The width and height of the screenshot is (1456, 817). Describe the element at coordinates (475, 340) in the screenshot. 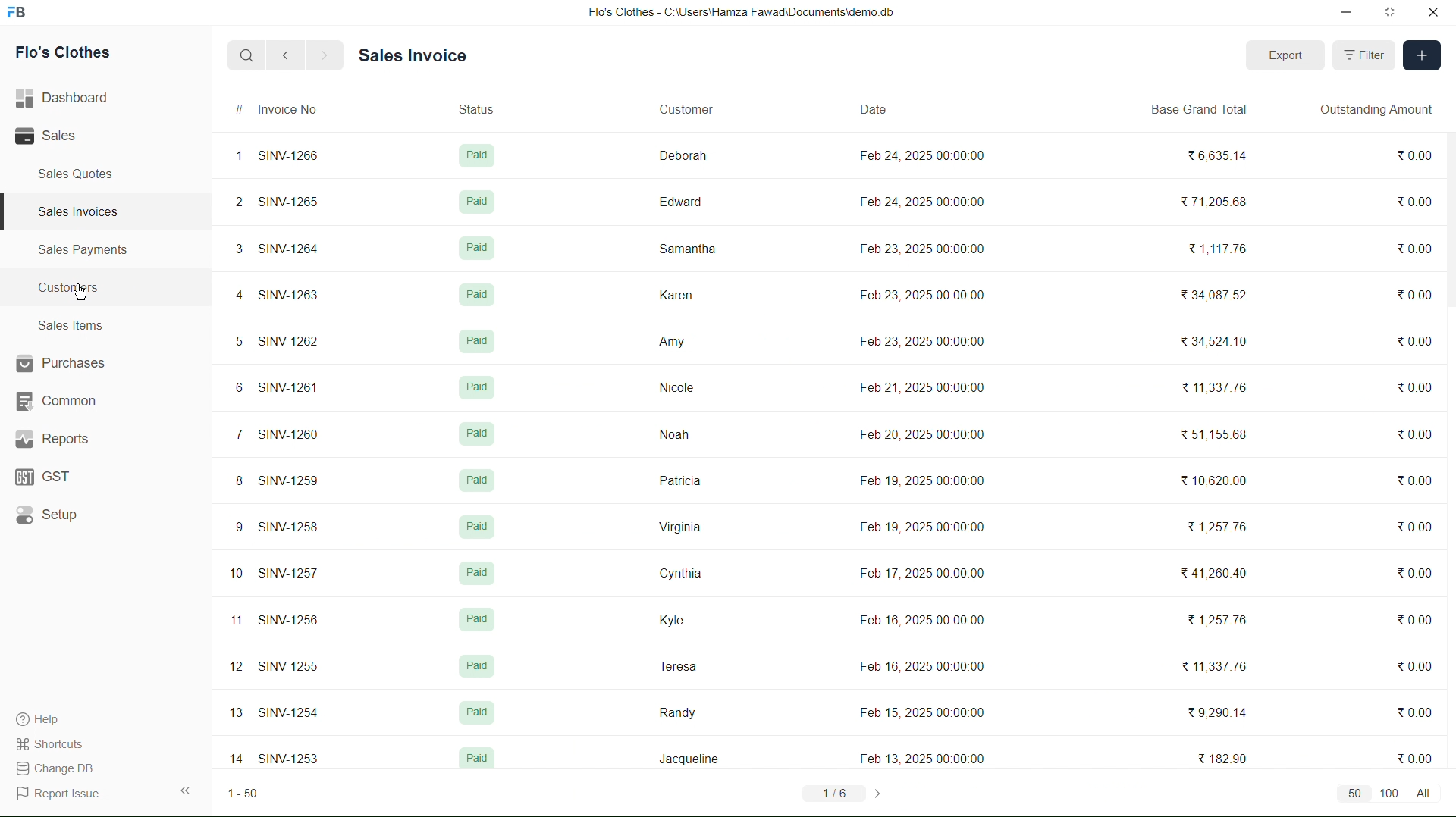

I see `Paid` at that location.